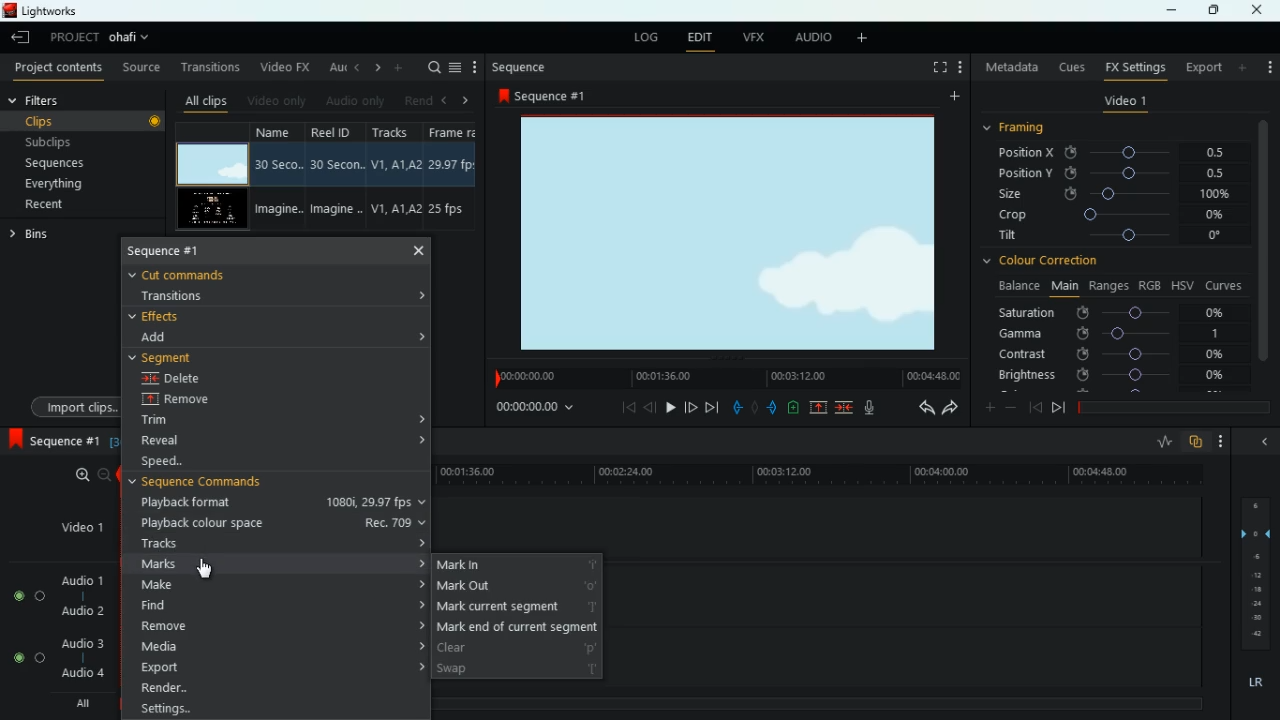  Describe the element at coordinates (339, 162) in the screenshot. I see `30 Secon..` at that location.